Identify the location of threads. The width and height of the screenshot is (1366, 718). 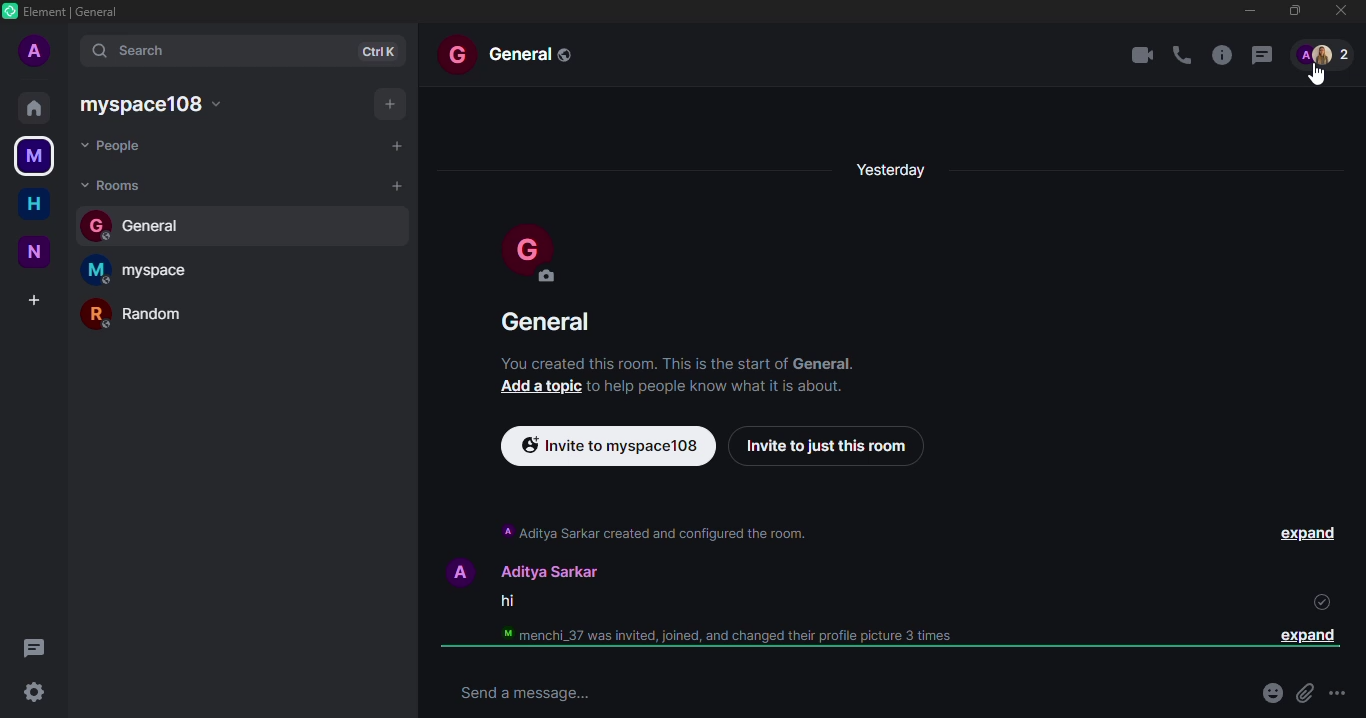
(1260, 54).